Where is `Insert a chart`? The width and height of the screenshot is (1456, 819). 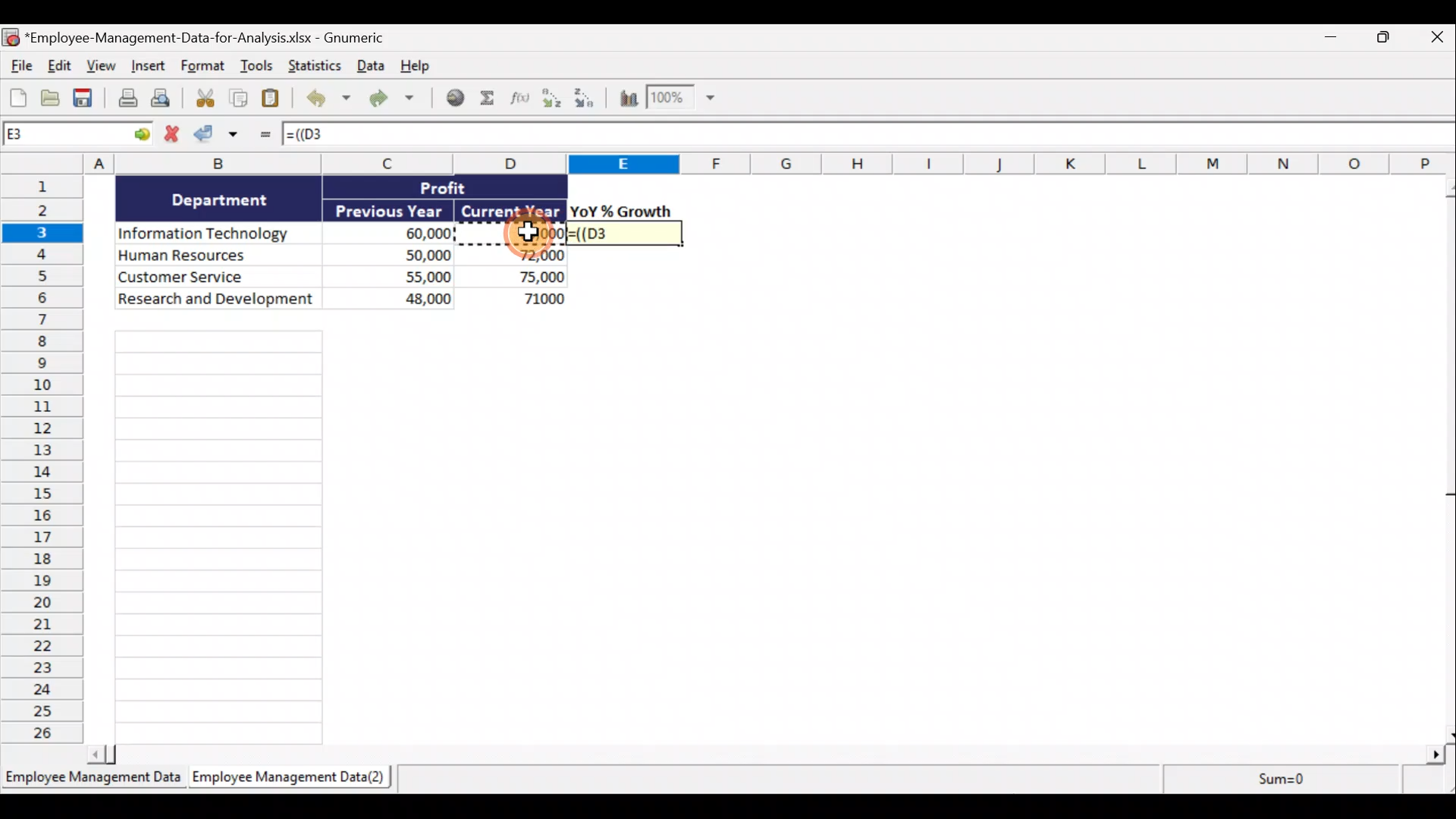
Insert a chart is located at coordinates (627, 101).